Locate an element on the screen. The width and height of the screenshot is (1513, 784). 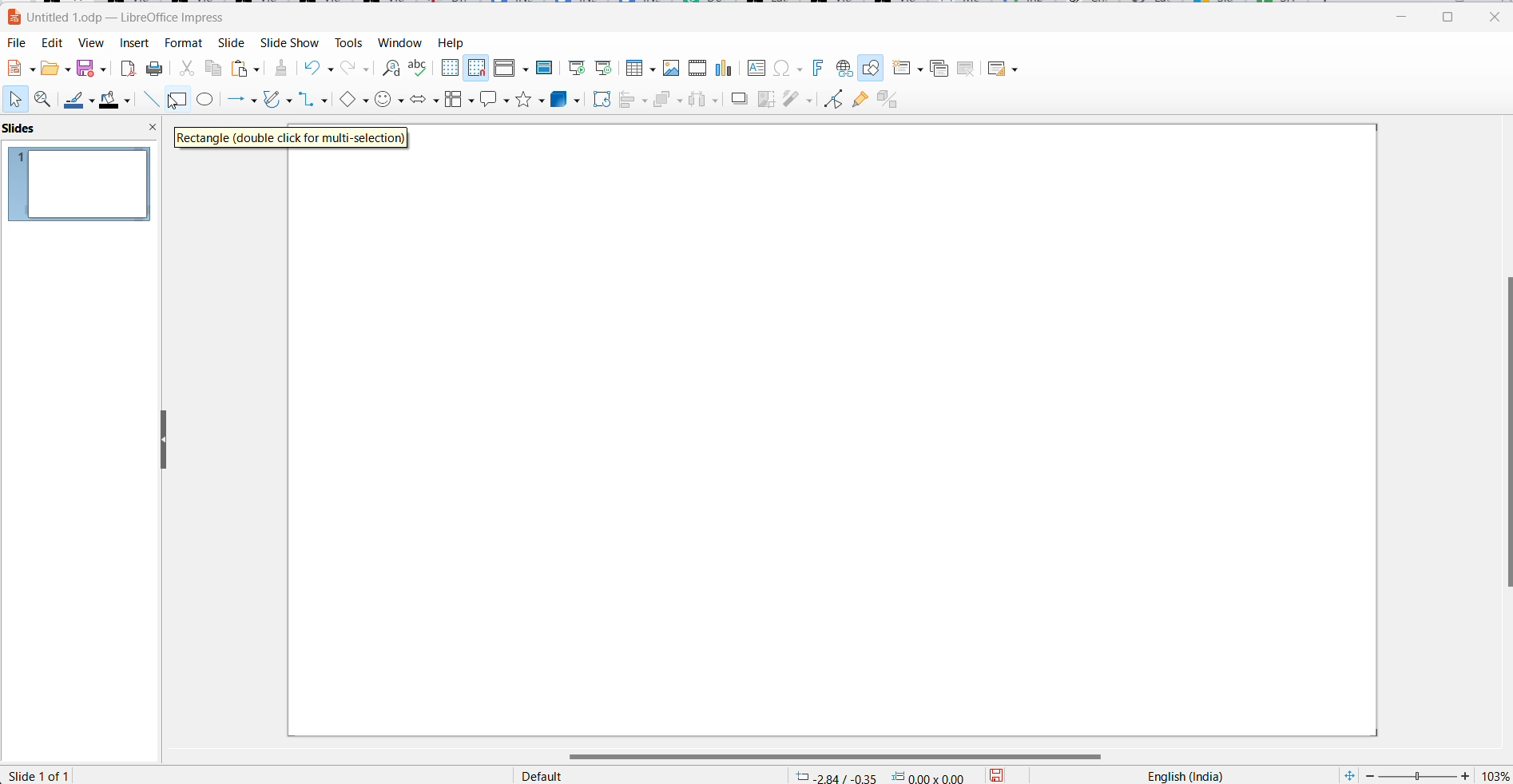
Insert text is located at coordinates (757, 67).